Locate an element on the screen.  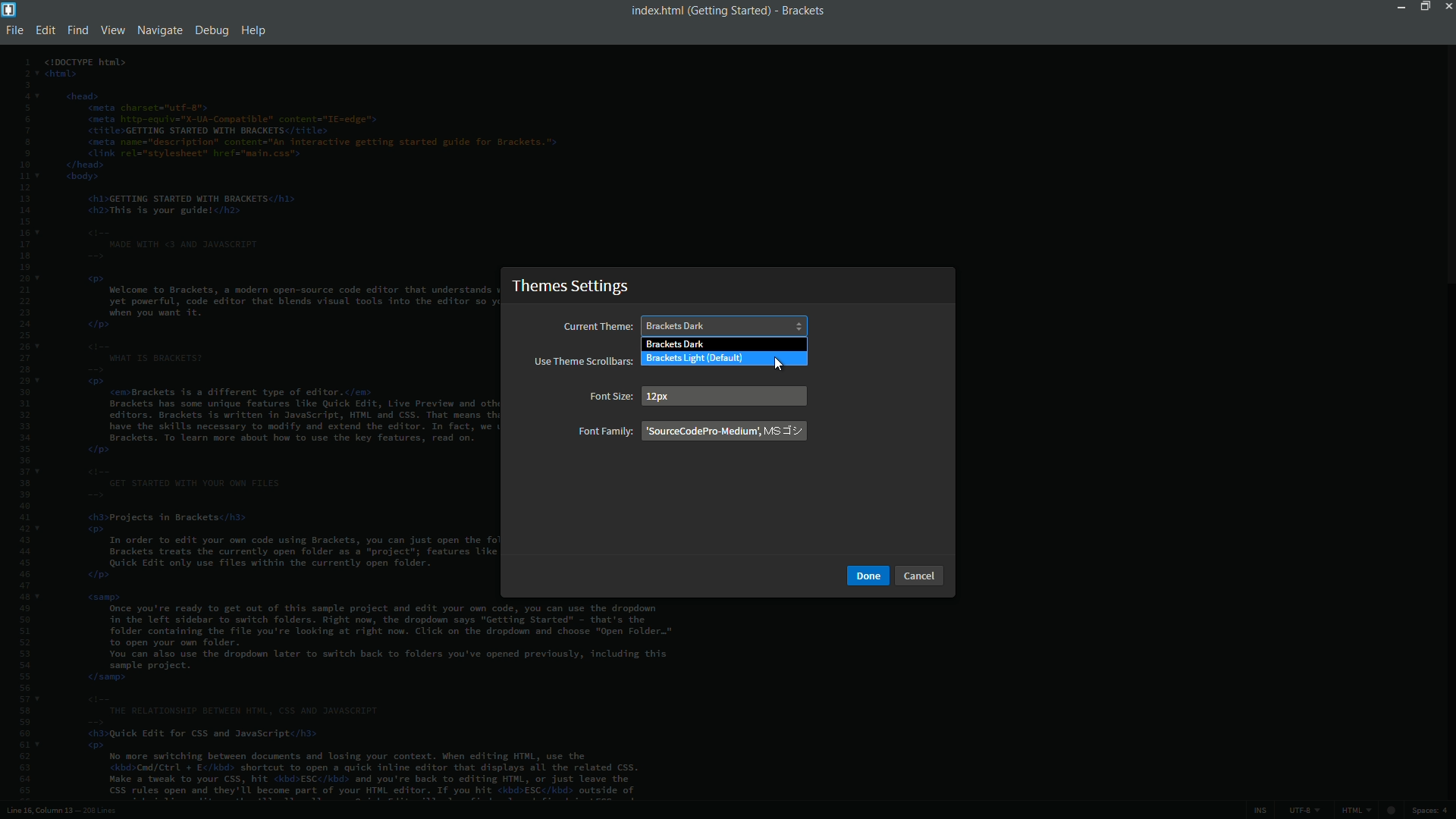
minimize is located at coordinates (1398, 6).